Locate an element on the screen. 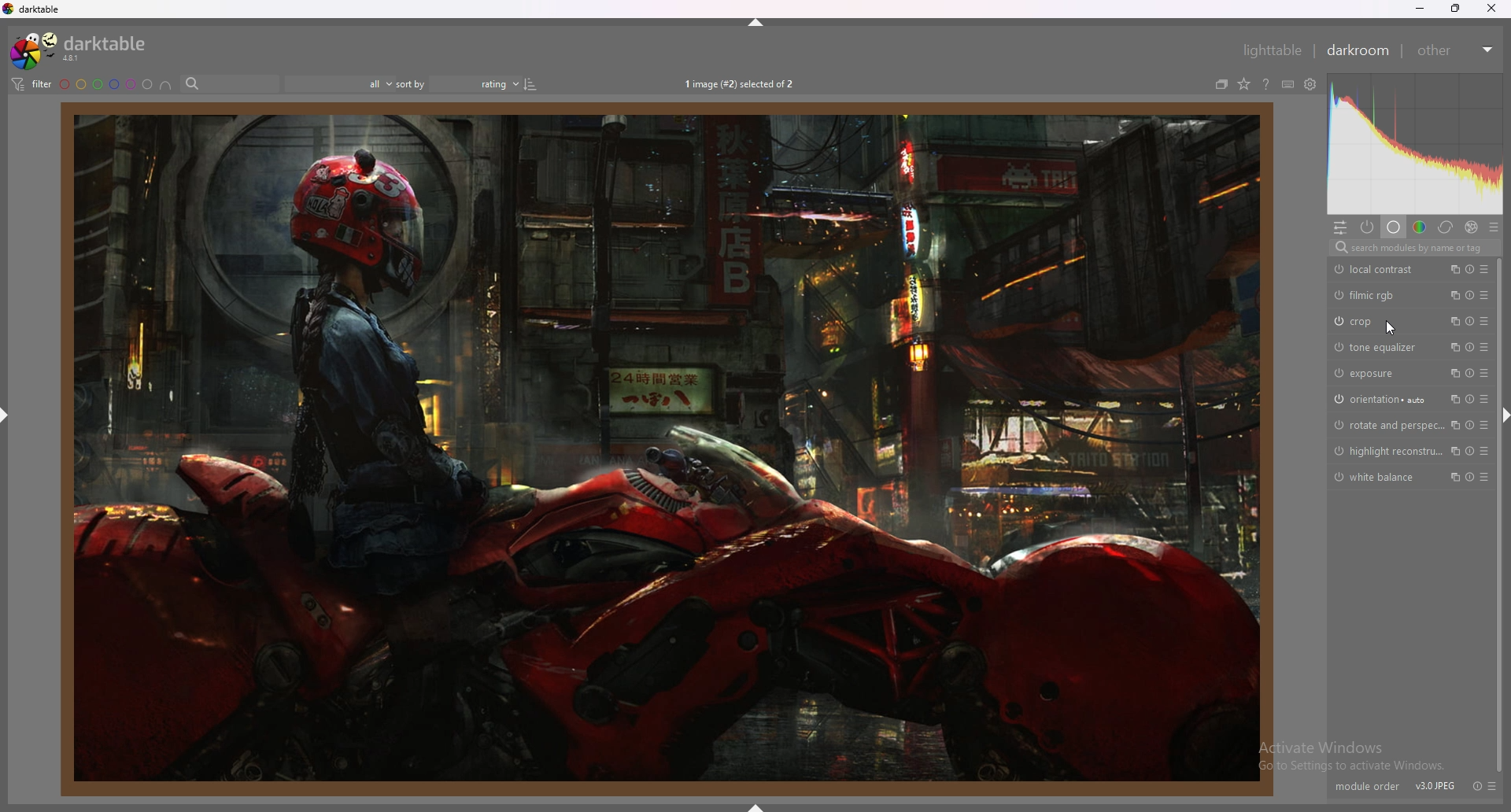 The image size is (1511, 812). reset is located at coordinates (1472, 295).